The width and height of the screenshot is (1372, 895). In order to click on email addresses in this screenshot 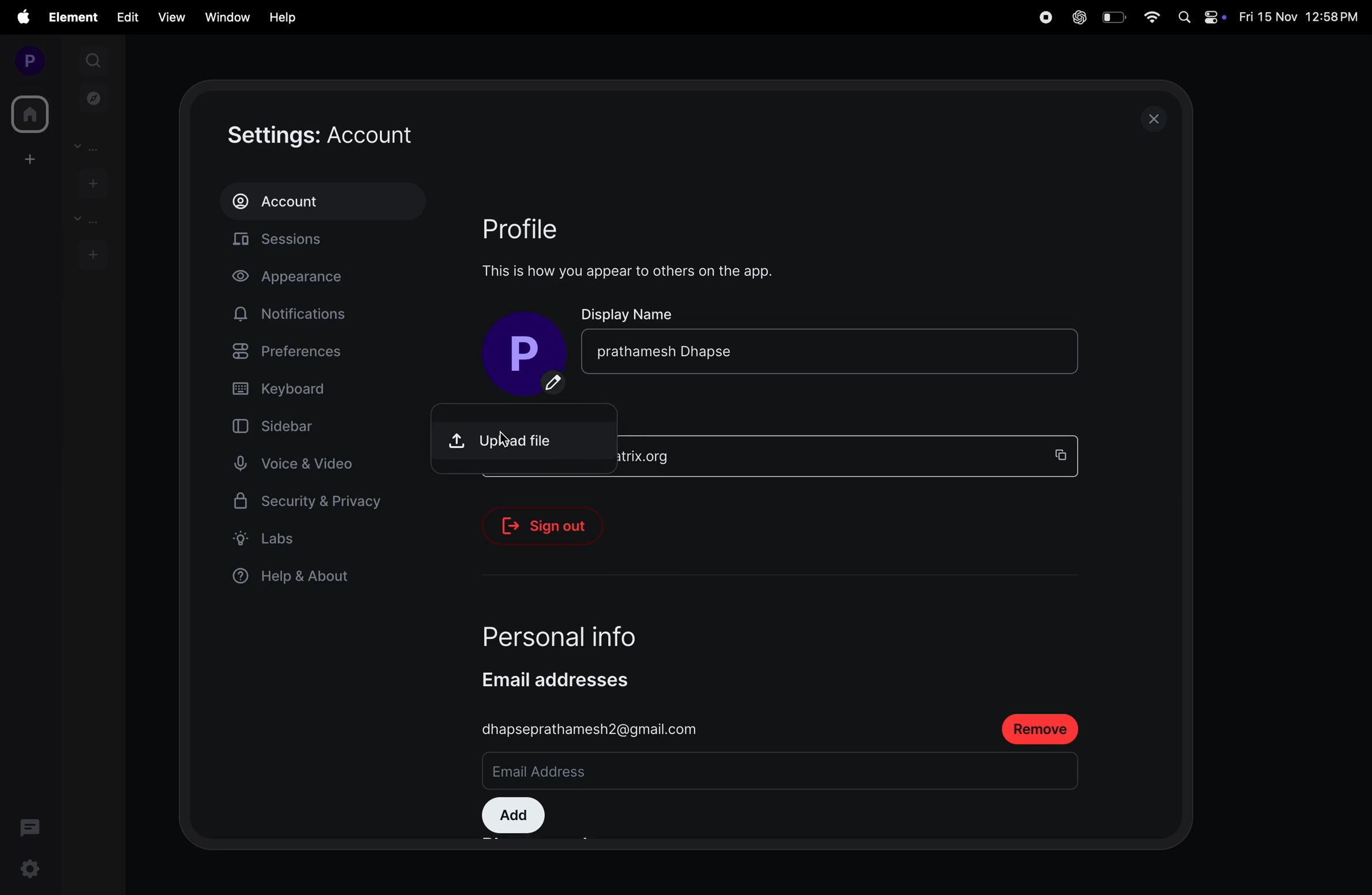, I will do `click(568, 679)`.